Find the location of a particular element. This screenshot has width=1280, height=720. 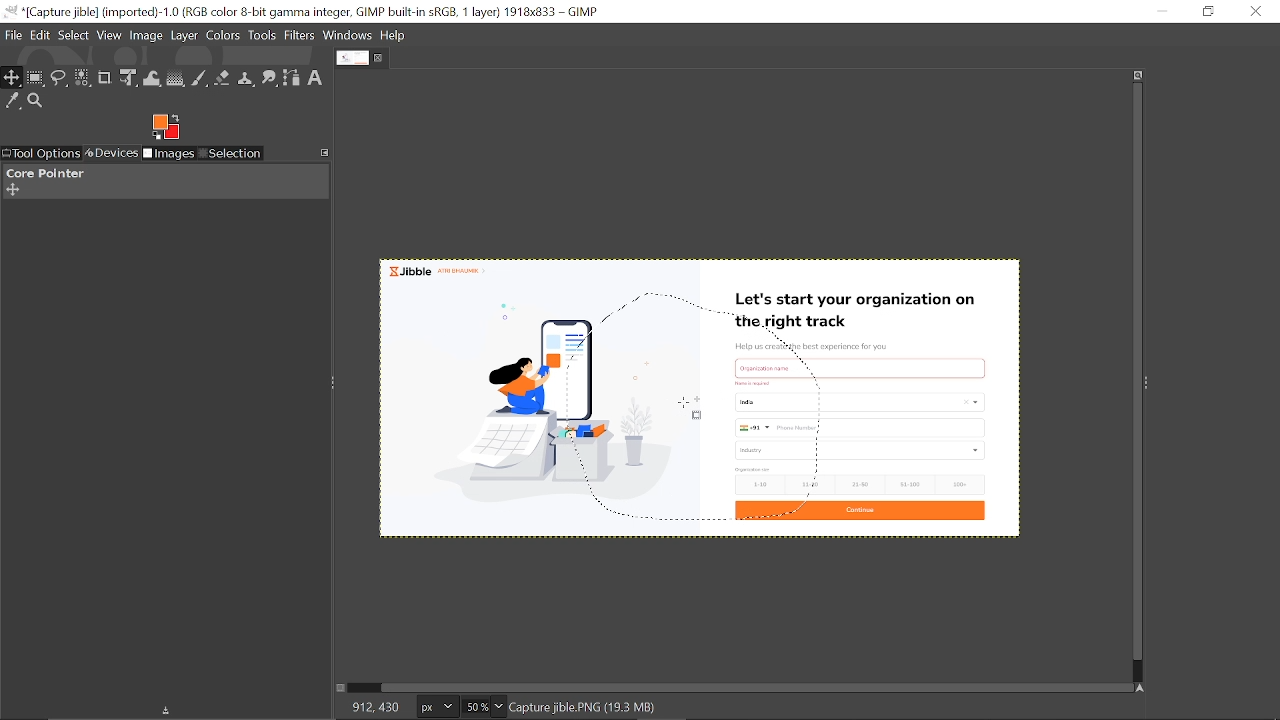

Crop text tool is located at coordinates (105, 78).